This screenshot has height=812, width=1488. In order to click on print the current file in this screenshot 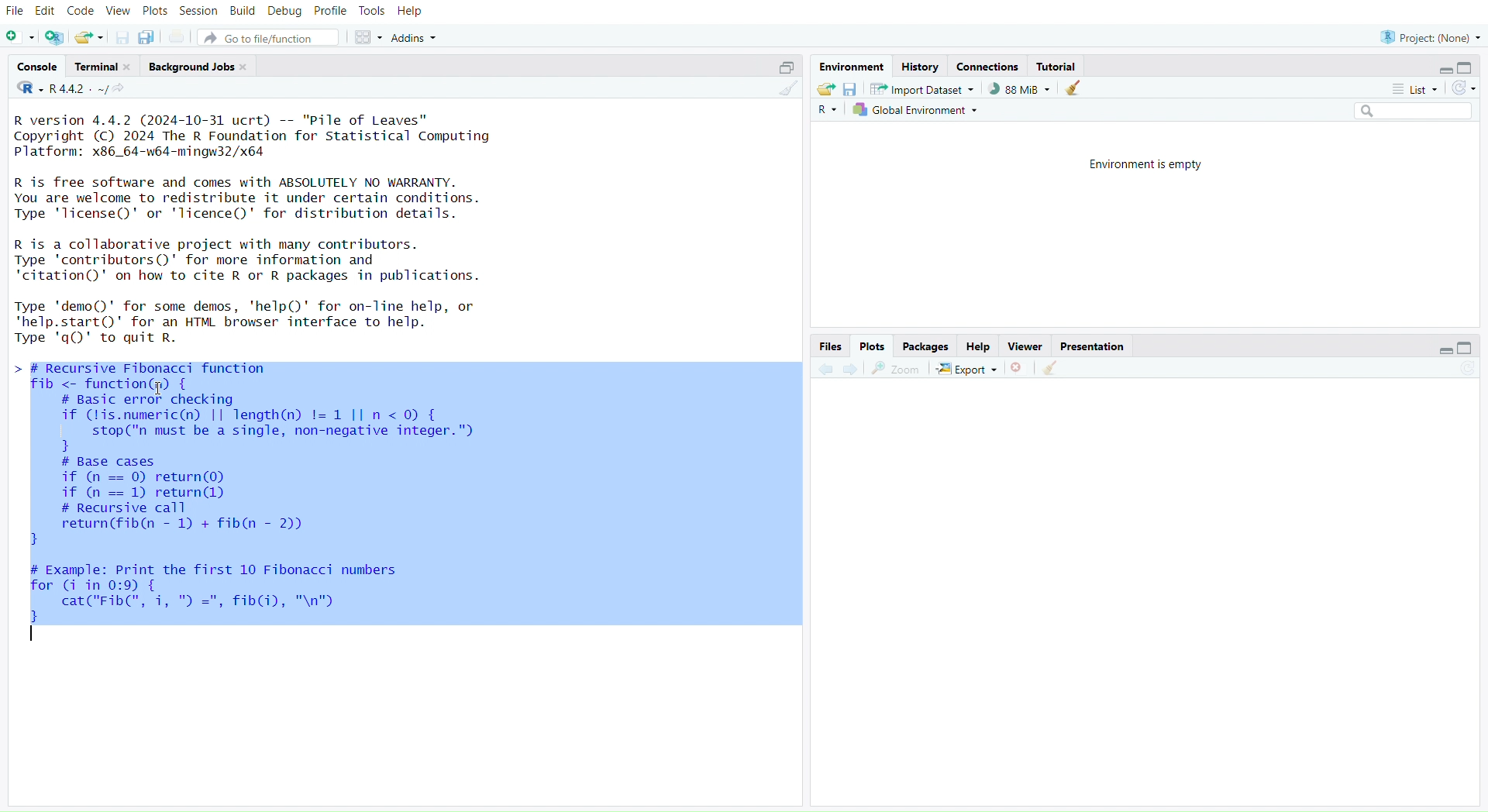, I will do `click(178, 38)`.